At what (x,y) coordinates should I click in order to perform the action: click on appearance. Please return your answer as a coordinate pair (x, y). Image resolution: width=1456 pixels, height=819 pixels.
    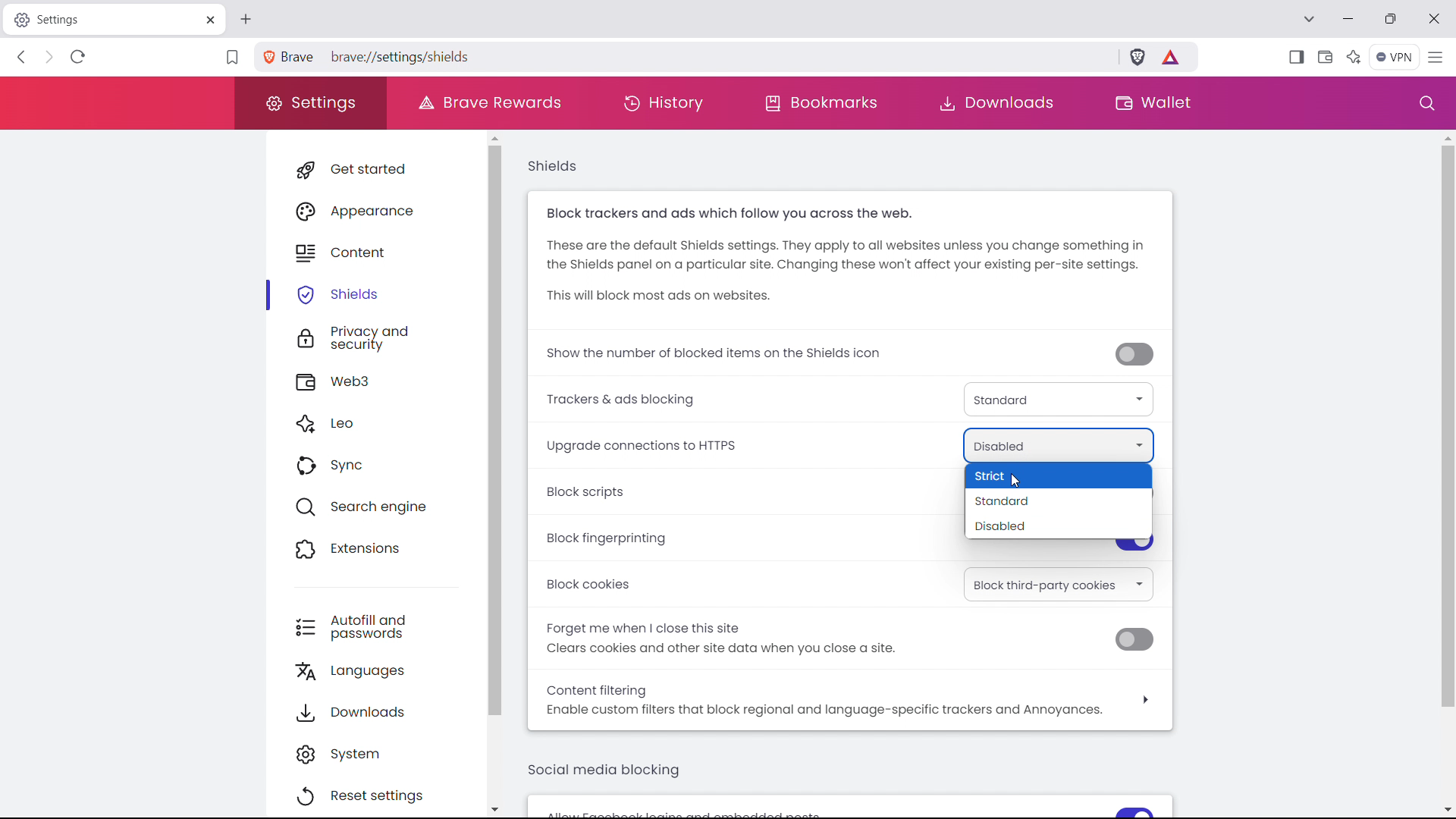
    Looking at the image, I should click on (384, 209).